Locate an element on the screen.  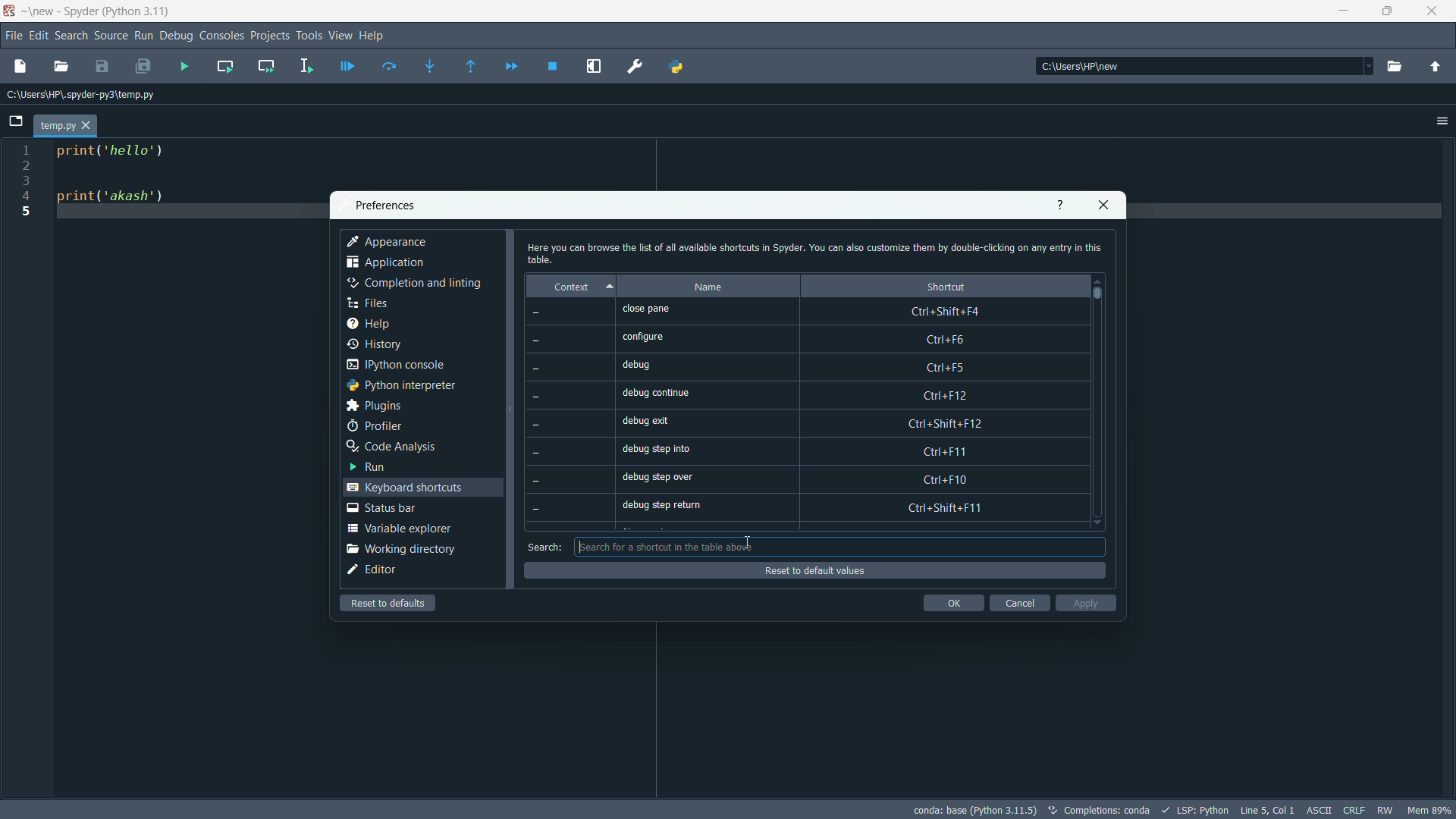
run current line is located at coordinates (391, 65).